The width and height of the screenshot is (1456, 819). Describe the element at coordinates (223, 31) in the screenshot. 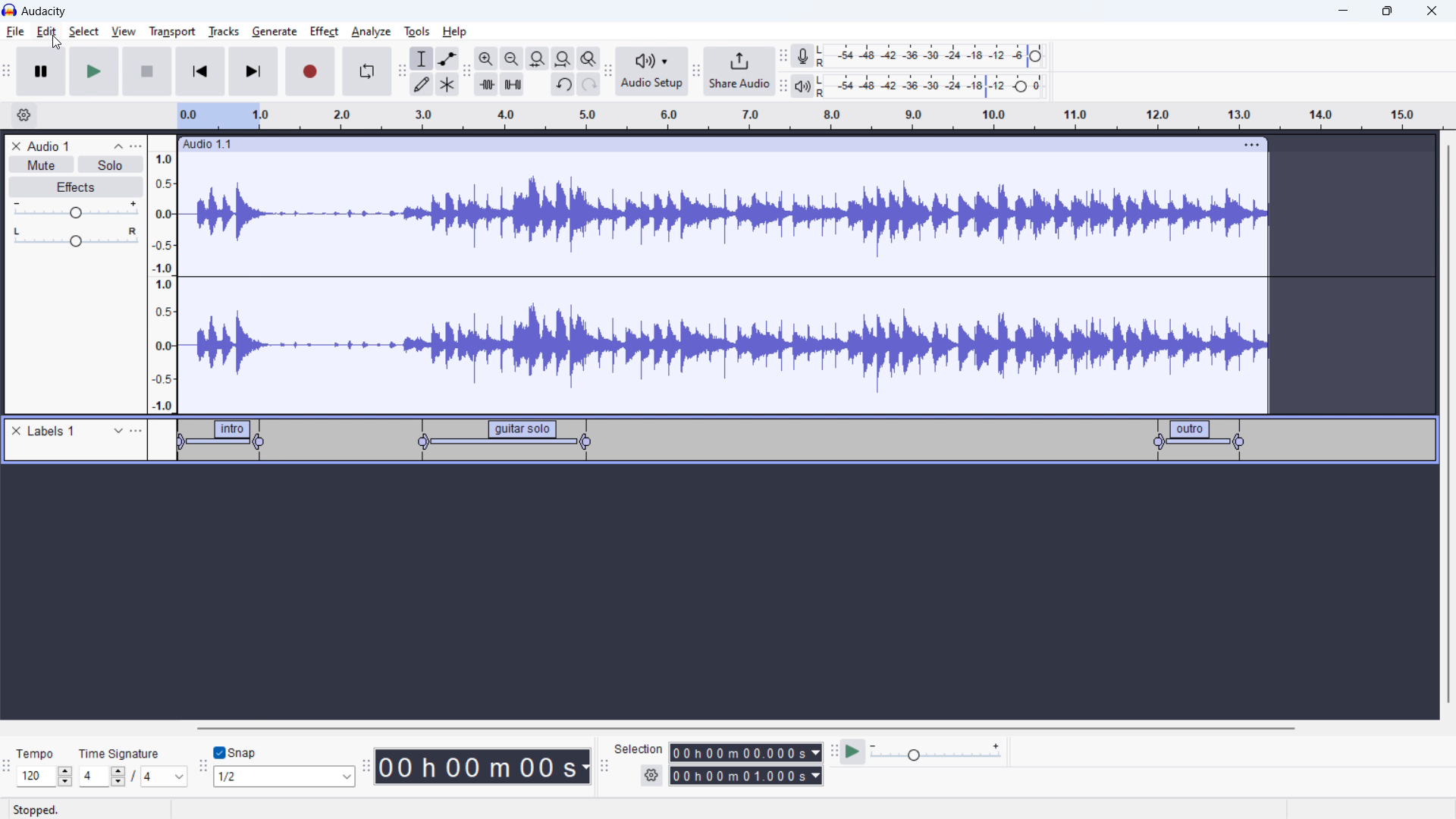

I see `tracks` at that location.